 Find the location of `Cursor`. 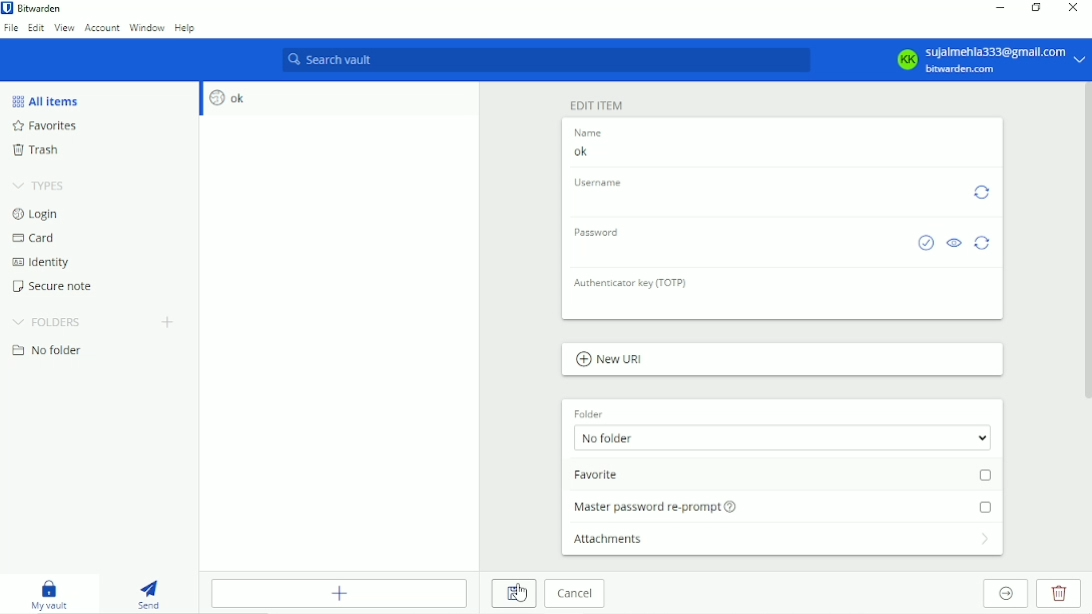

Cursor is located at coordinates (520, 593).